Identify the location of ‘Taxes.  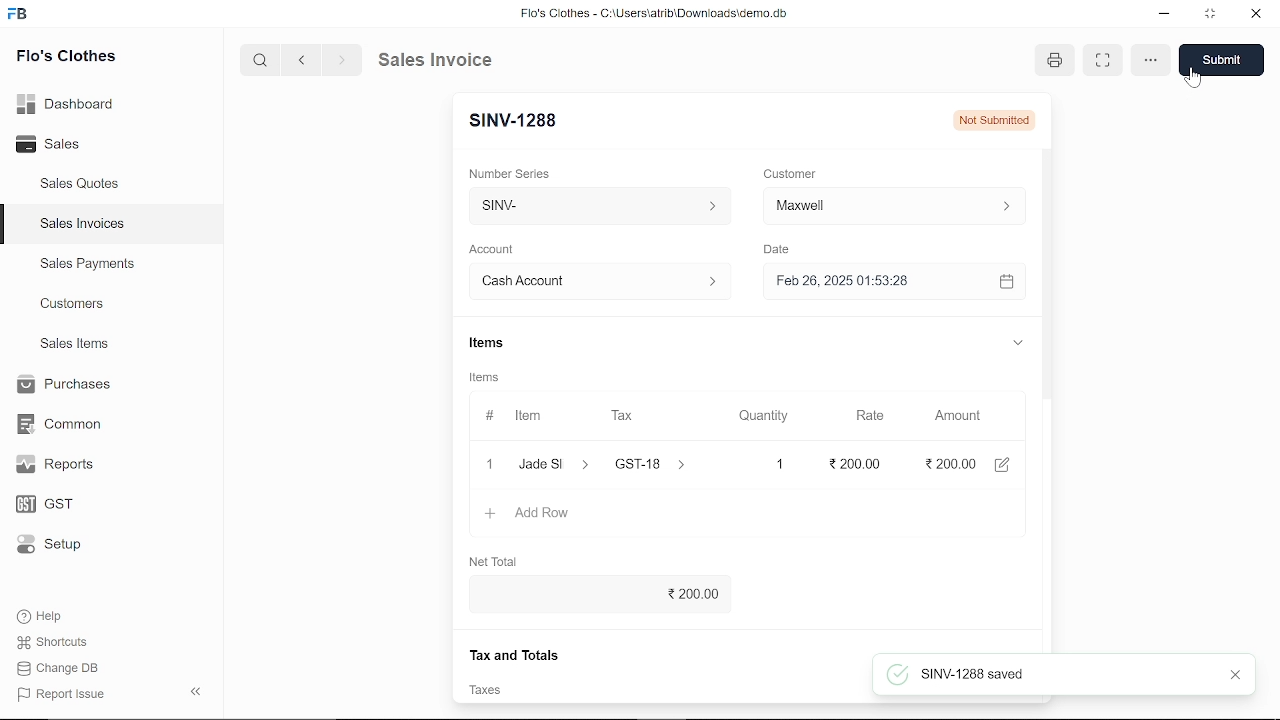
(483, 691).